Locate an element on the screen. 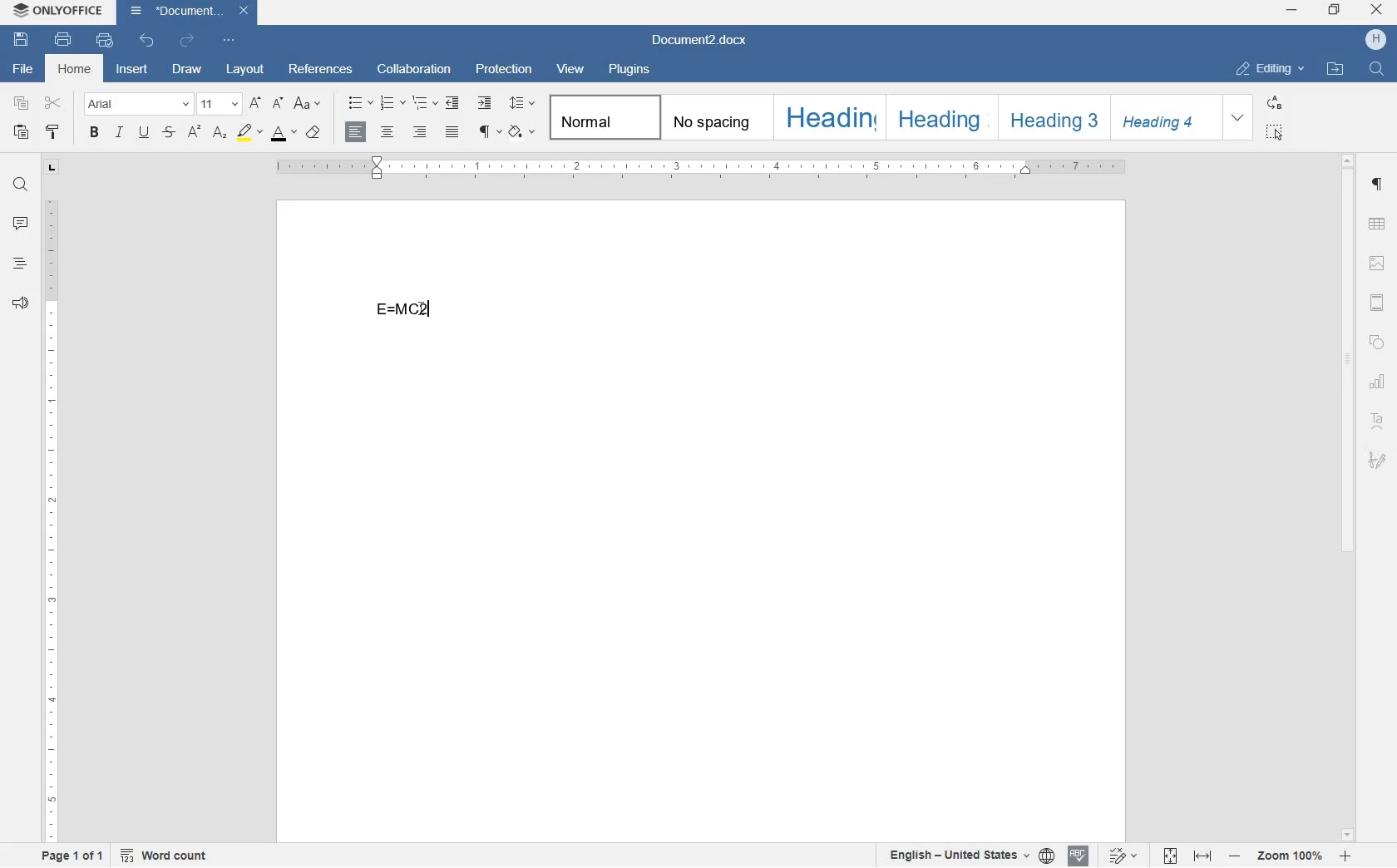 This screenshot has height=868, width=1397. scrollbar is located at coordinates (1350, 497).